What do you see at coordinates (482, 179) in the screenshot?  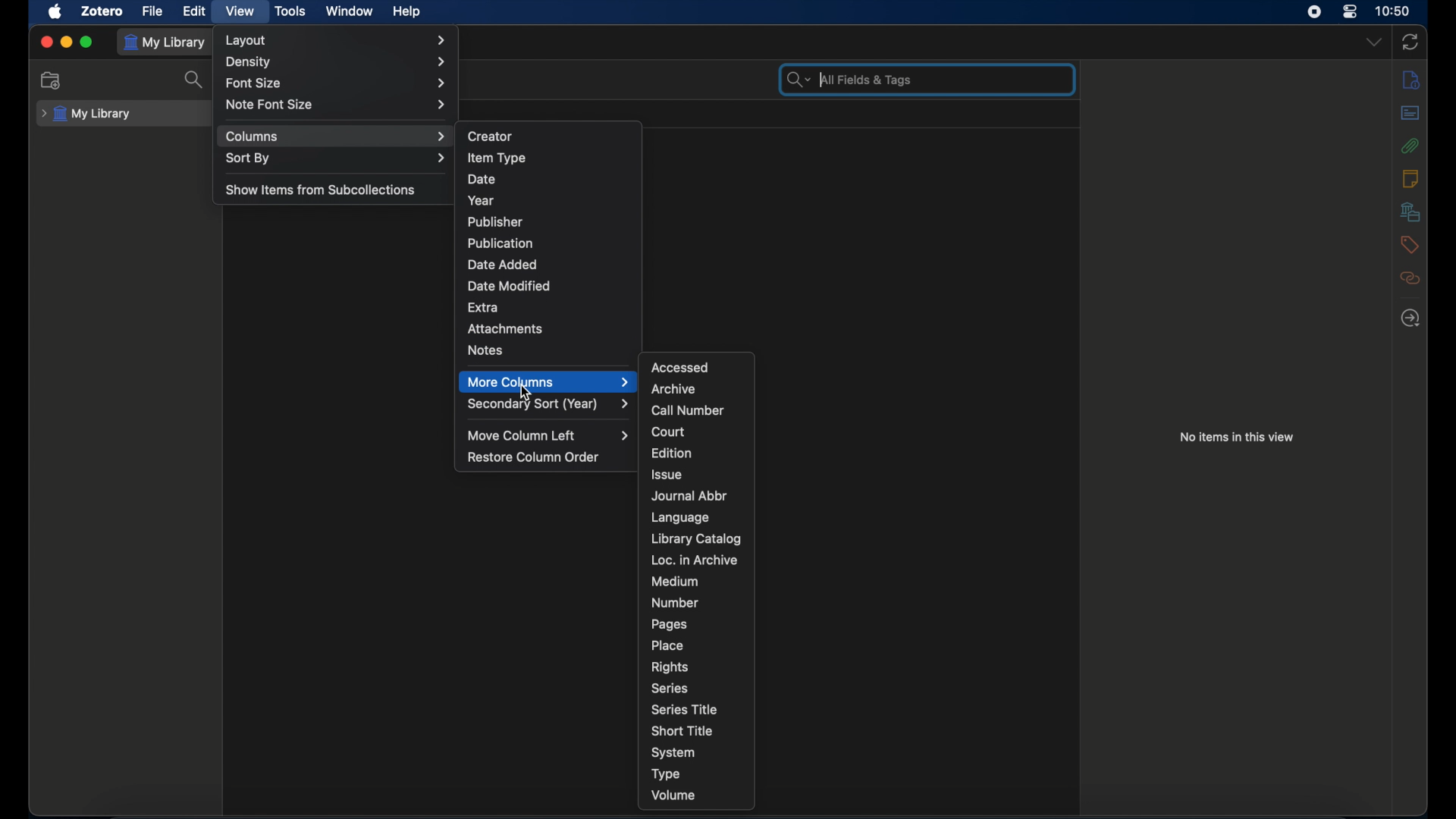 I see `date` at bounding box center [482, 179].